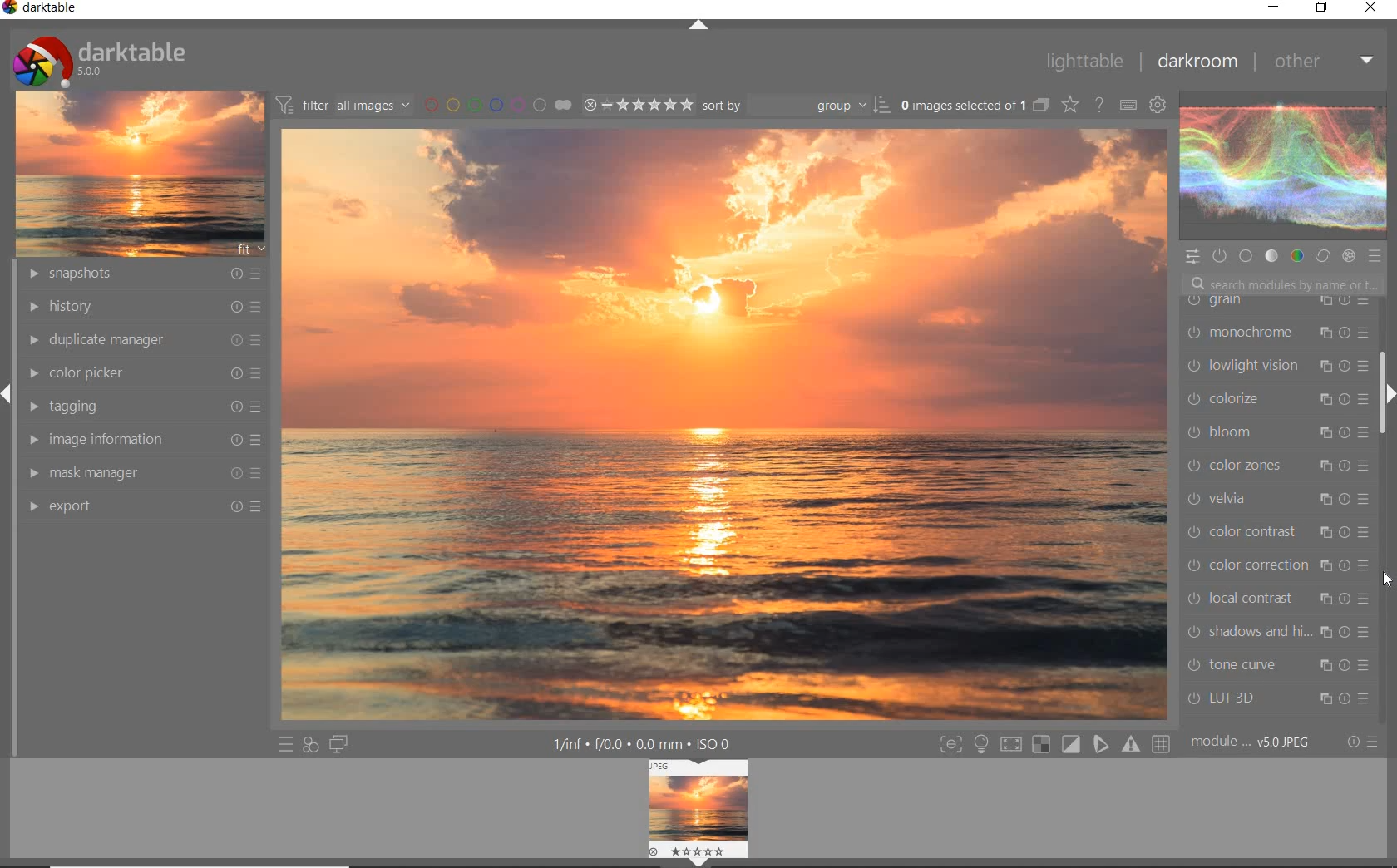 This screenshot has width=1397, height=868. Describe the element at coordinates (1284, 284) in the screenshot. I see `SEARCH MODULES` at that location.